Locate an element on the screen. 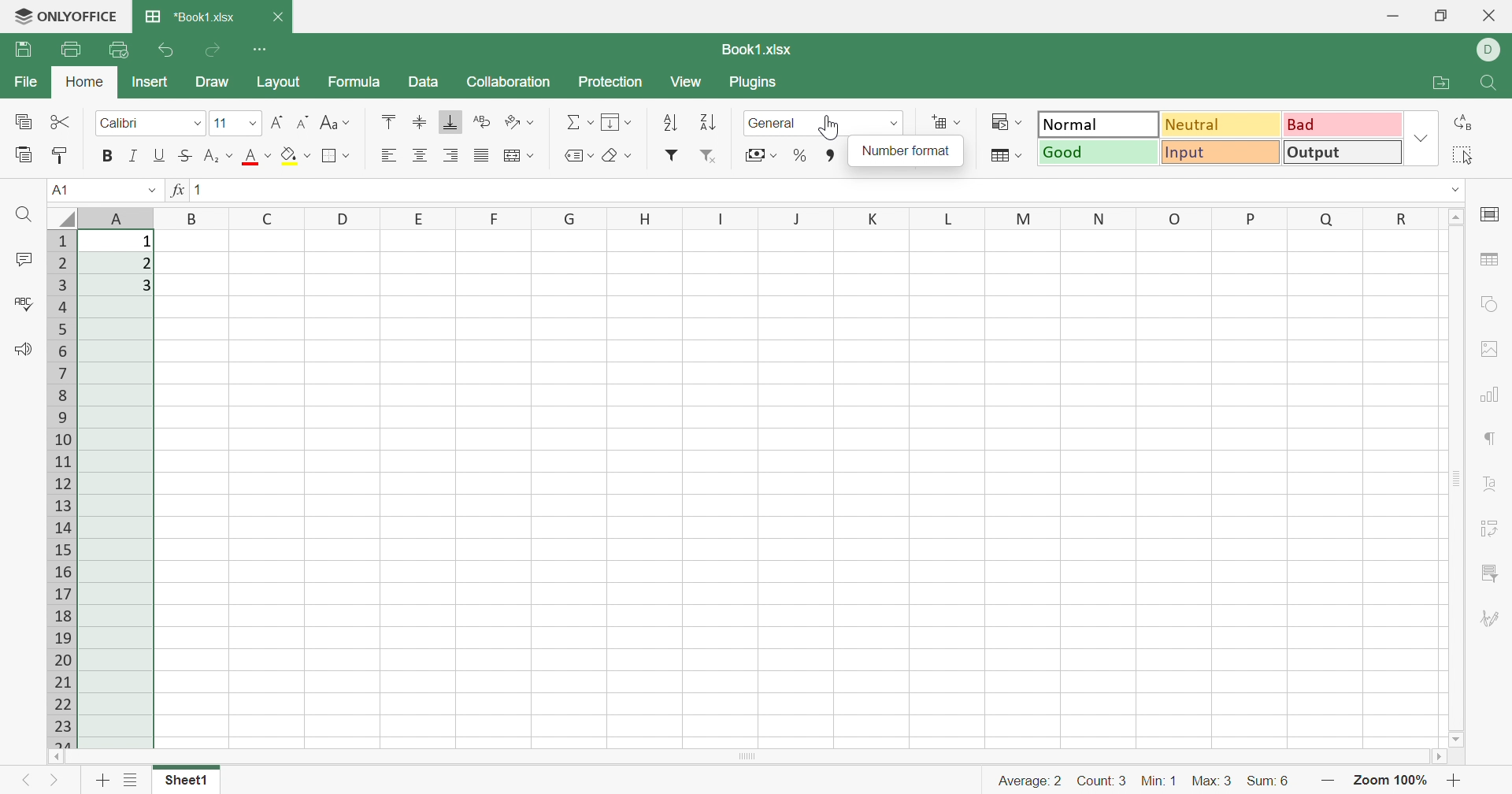 Image resolution: width=1512 pixels, height=794 pixels. Count: 3 is located at coordinates (1103, 783).